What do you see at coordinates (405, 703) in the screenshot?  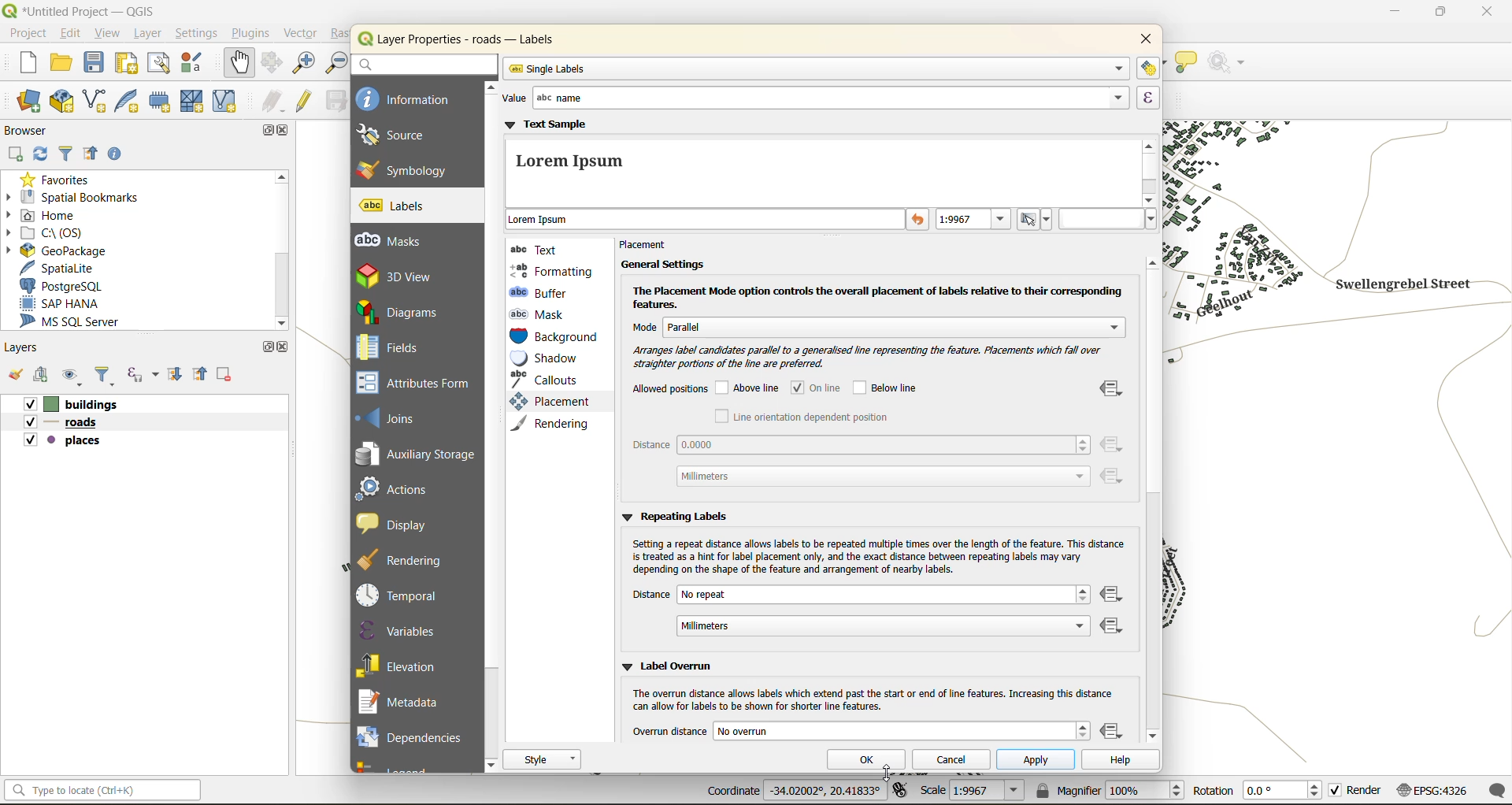 I see `metadata` at bounding box center [405, 703].